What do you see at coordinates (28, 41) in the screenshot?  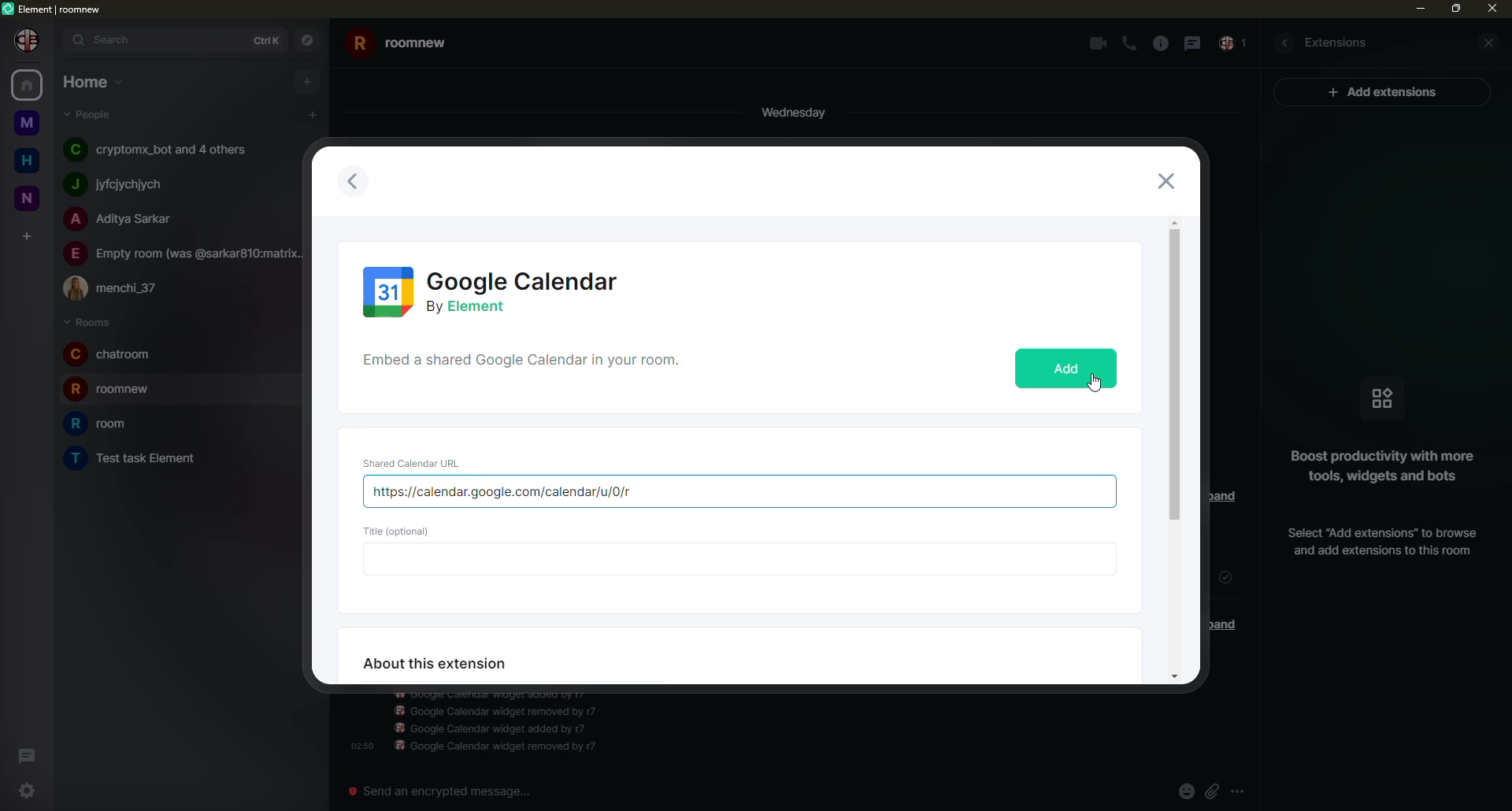 I see `profile` at bounding box center [28, 41].